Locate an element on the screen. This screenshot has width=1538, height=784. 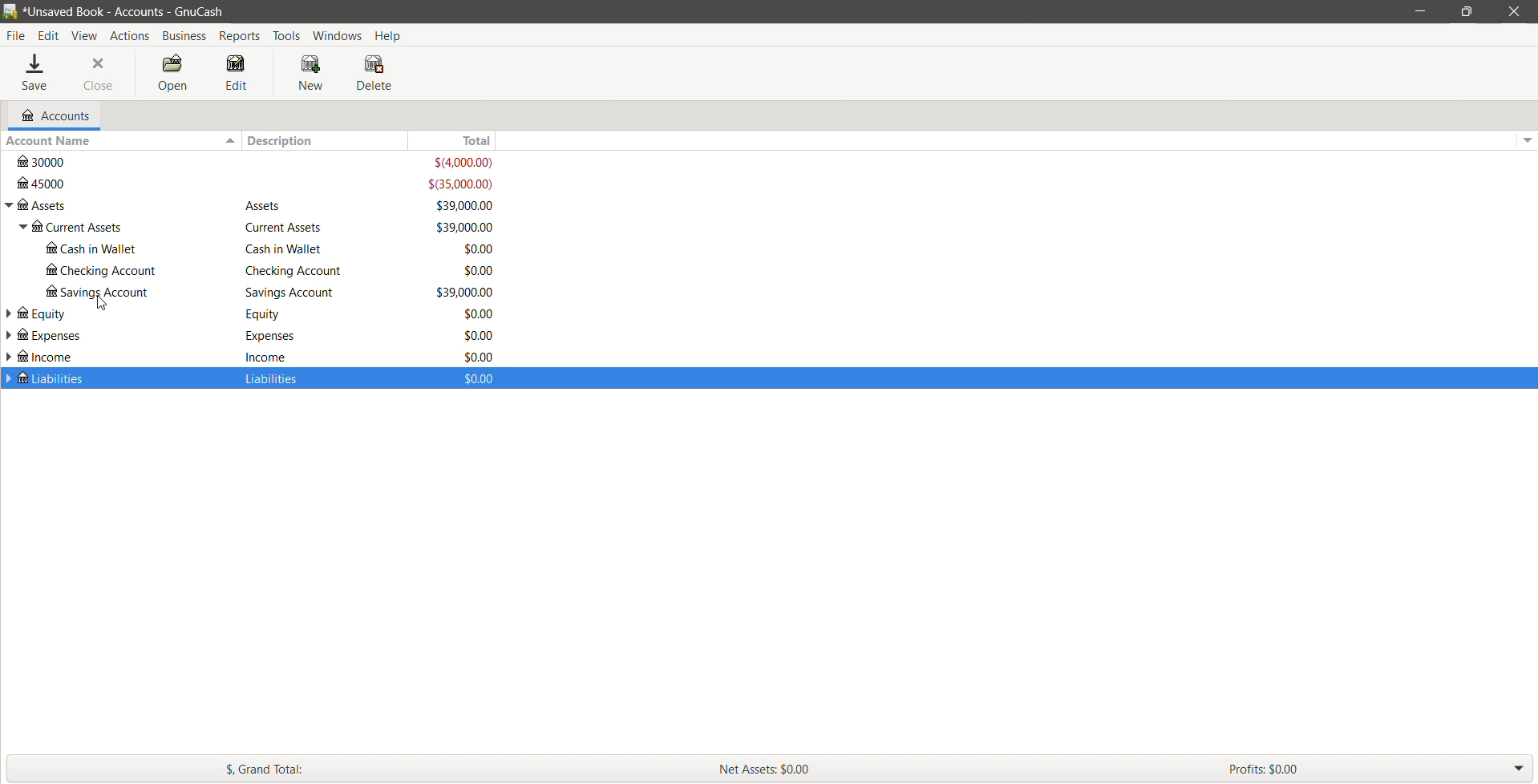
Edit is located at coordinates (49, 34).